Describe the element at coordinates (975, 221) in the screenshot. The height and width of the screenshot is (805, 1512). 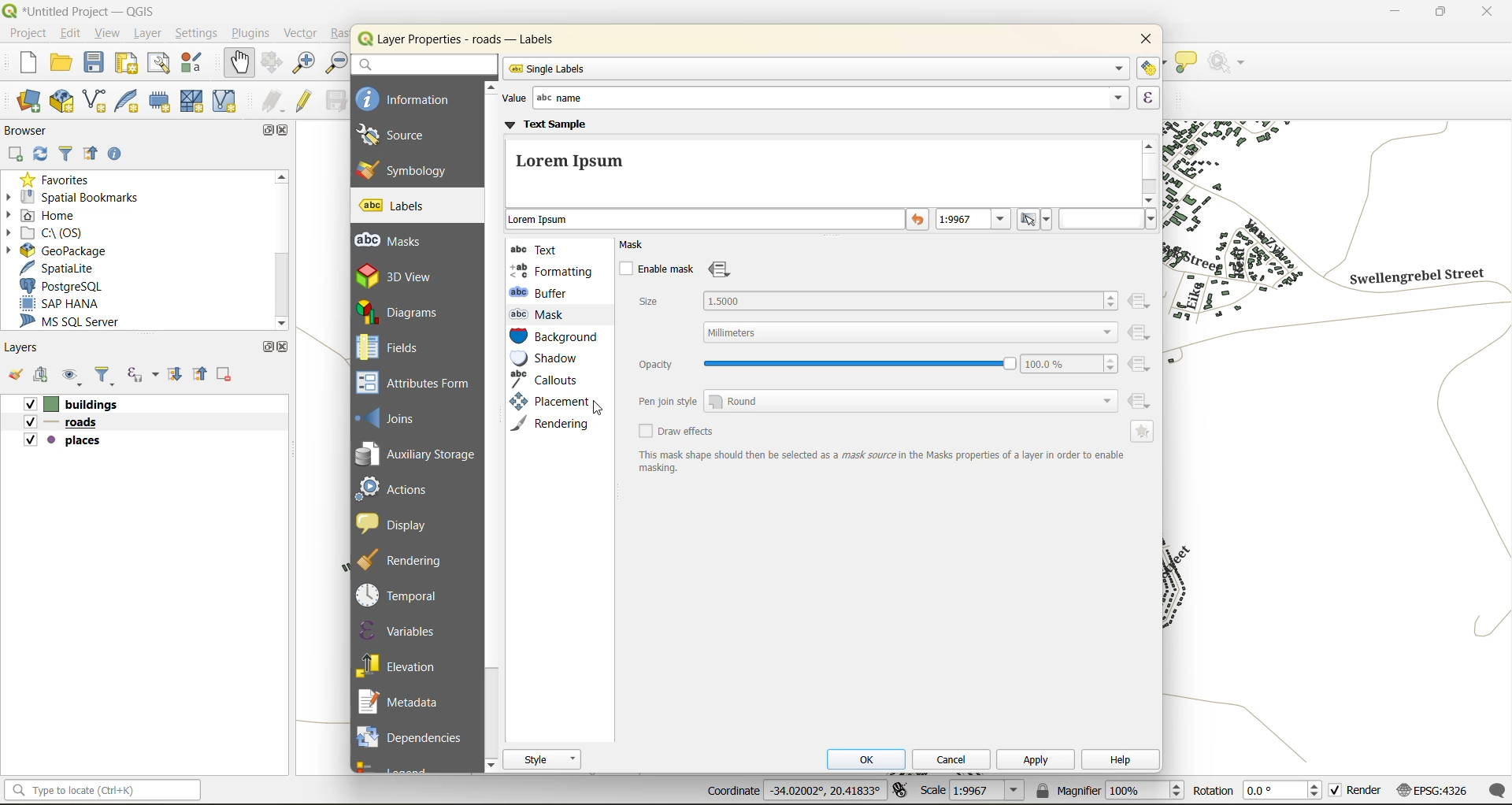
I see `preview text at specific map scale` at that location.